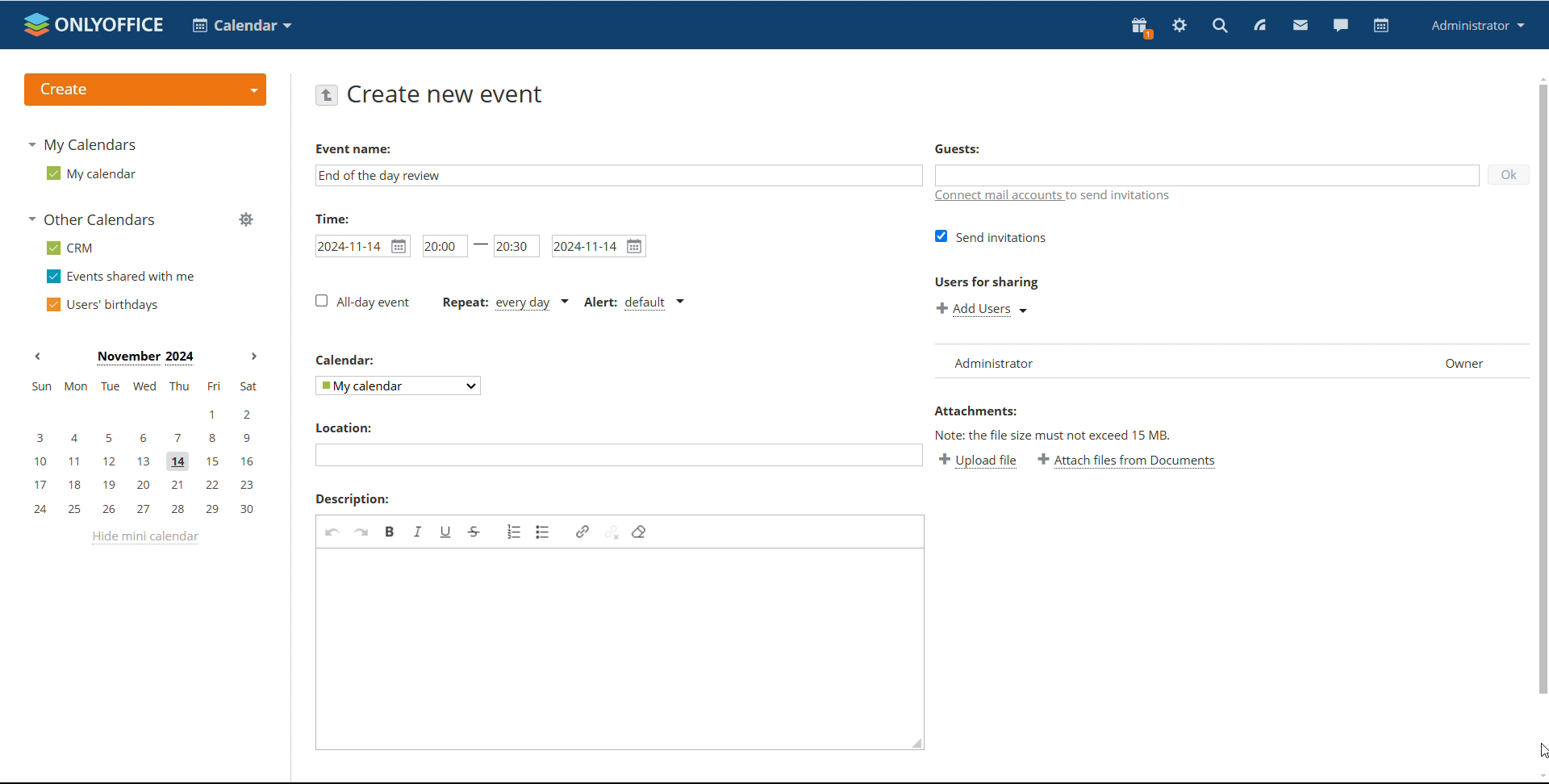 Image resolution: width=1549 pixels, height=784 pixels. Describe the element at coordinates (1341, 26) in the screenshot. I see `chat` at that location.